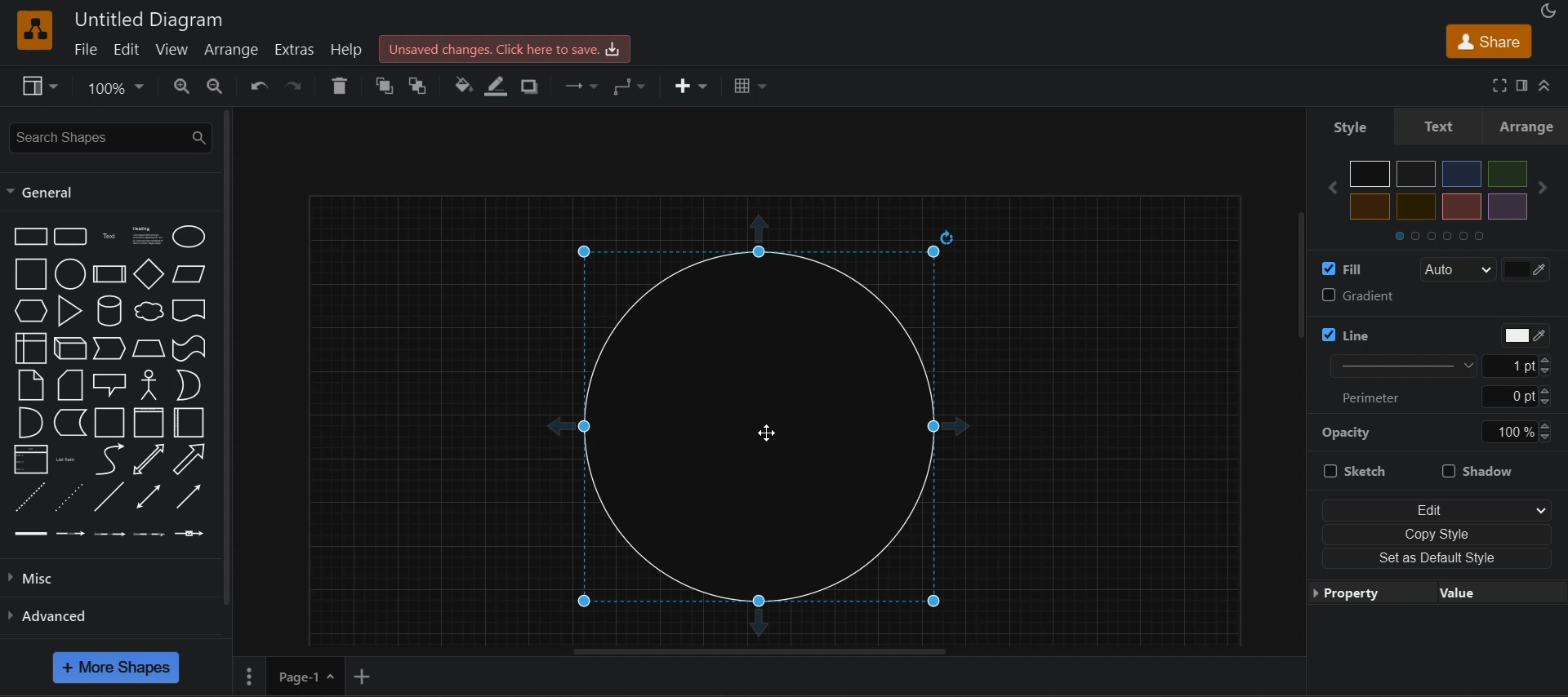 The image size is (1568, 697). What do you see at coordinates (1347, 267) in the screenshot?
I see `fill ` at bounding box center [1347, 267].